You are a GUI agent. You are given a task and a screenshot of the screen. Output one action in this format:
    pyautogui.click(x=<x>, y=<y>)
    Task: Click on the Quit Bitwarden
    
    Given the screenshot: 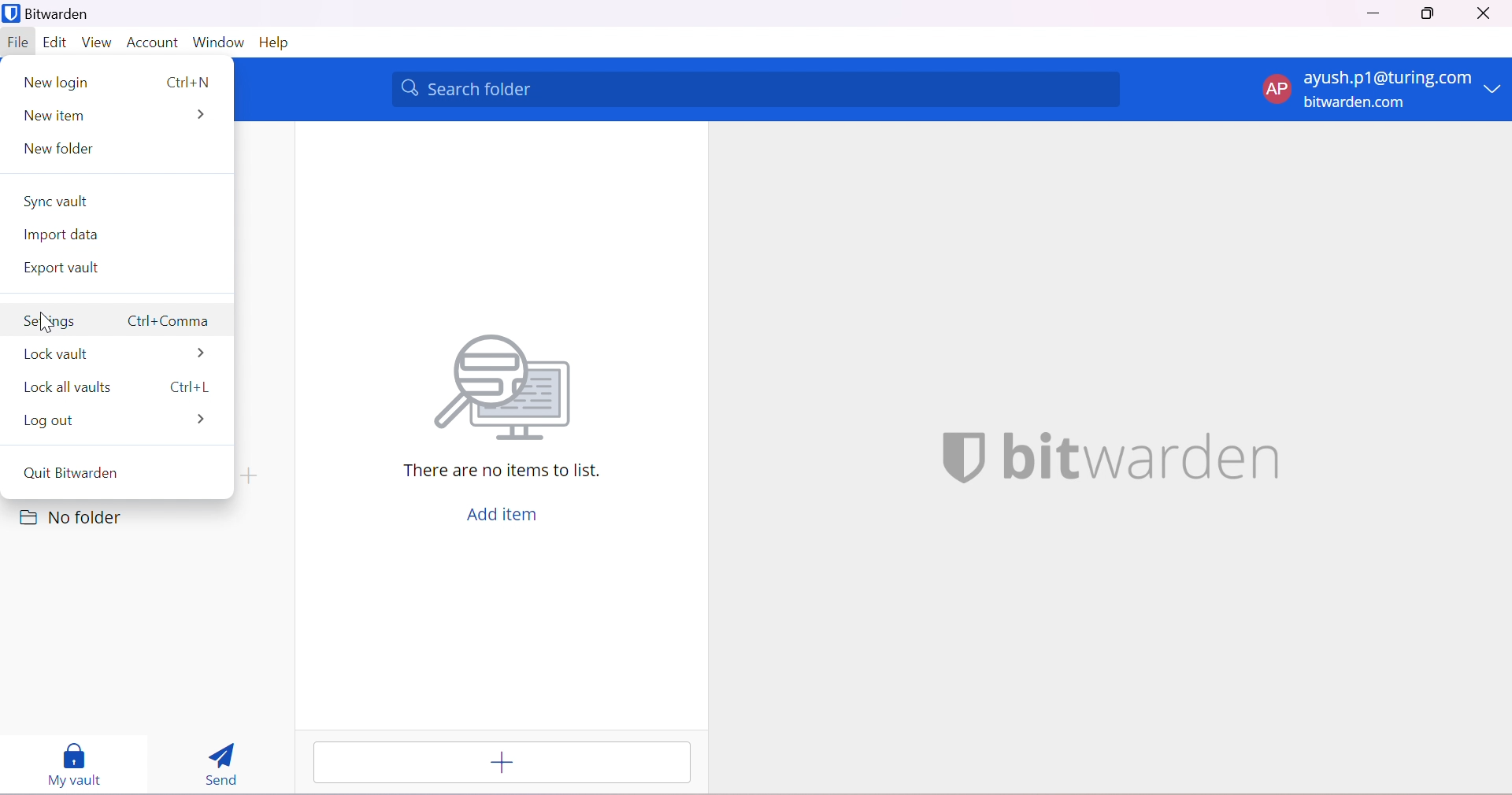 What is the action you would take?
    pyautogui.click(x=72, y=475)
    